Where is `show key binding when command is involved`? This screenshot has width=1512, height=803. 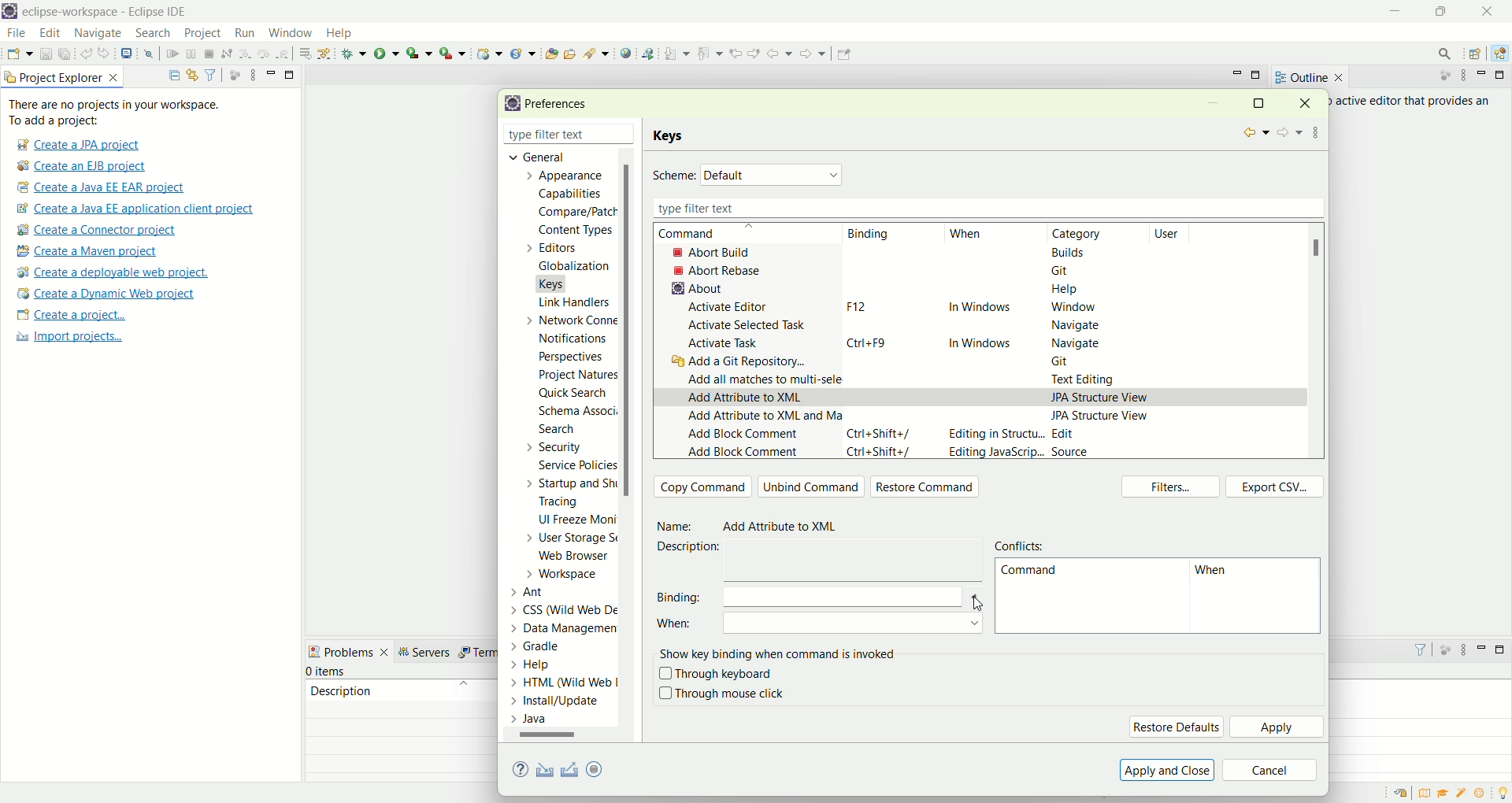
show key binding when command is involved is located at coordinates (781, 652).